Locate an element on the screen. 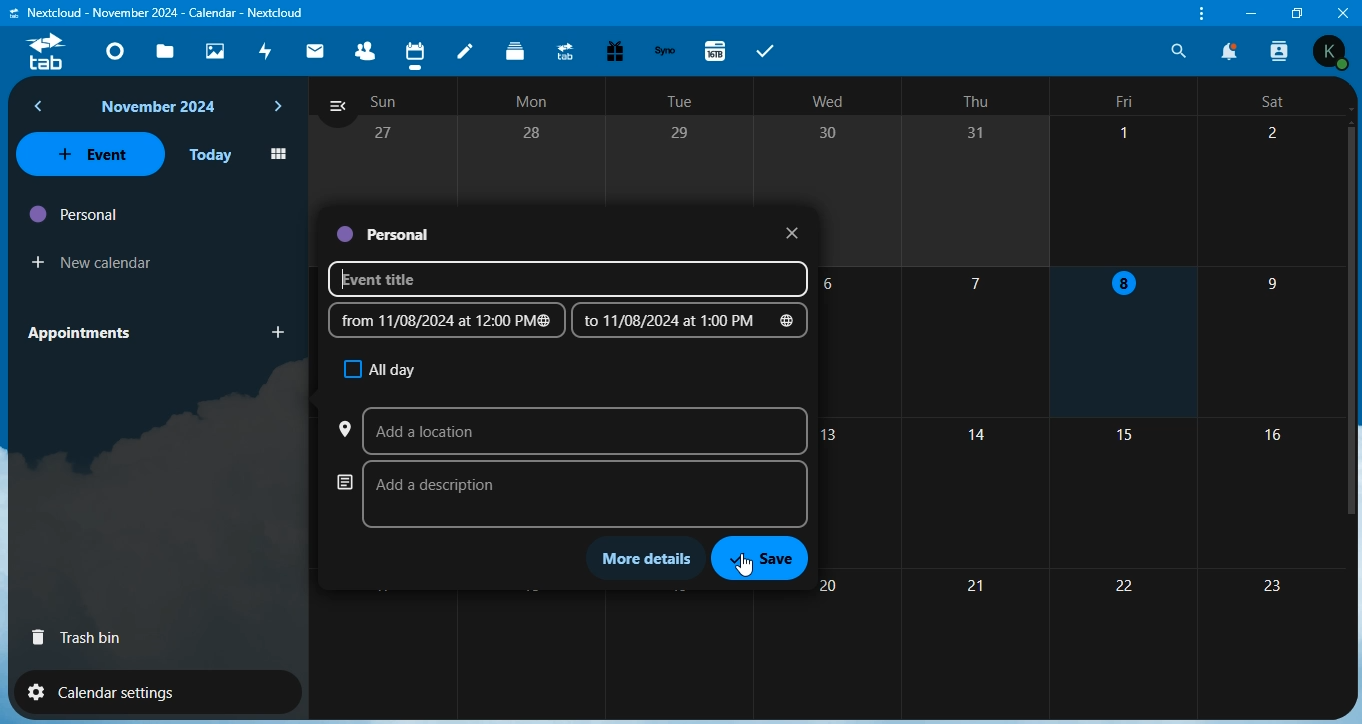 The image size is (1362, 724). appointments is located at coordinates (89, 333).